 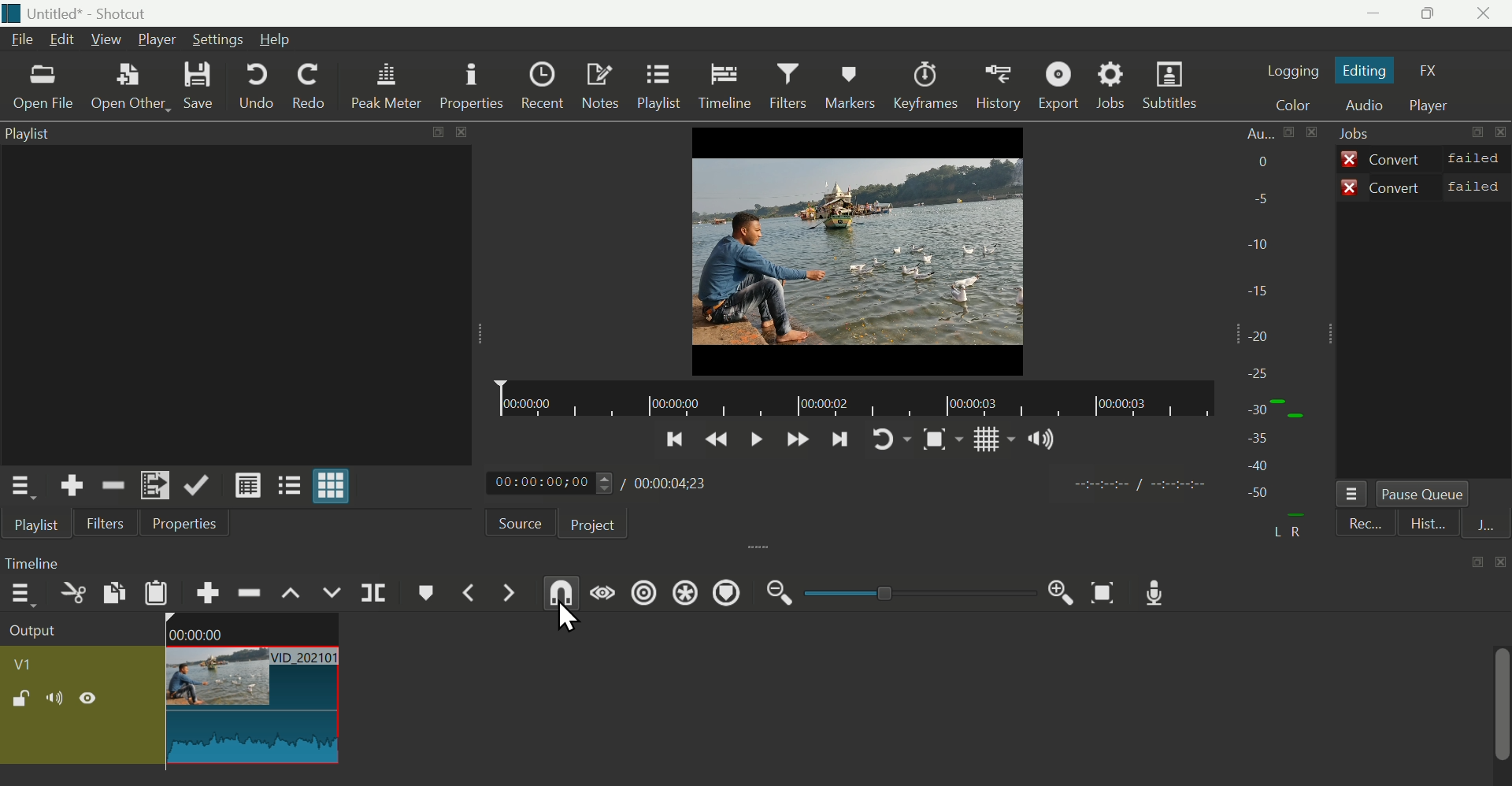 What do you see at coordinates (598, 87) in the screenshot?
I see `Notes` at bounding box center [598, 87].